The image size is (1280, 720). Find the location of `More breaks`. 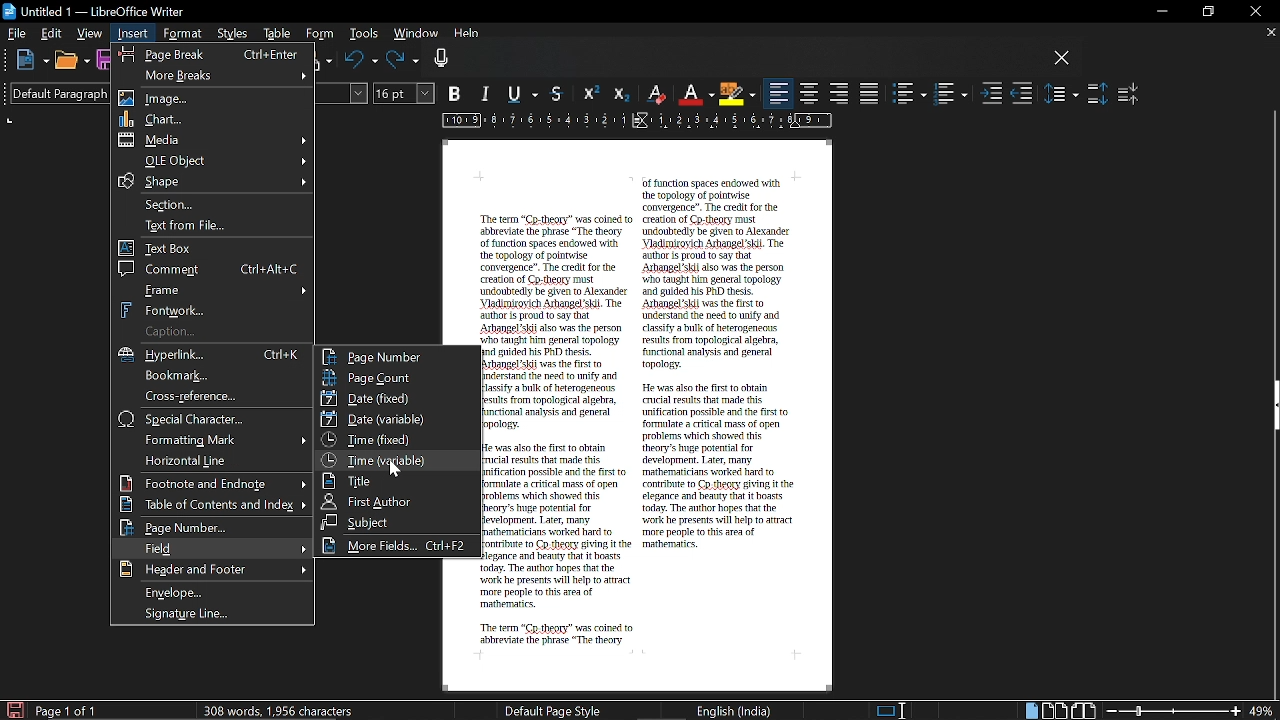

More breaks is located at coordinates (212, 74).